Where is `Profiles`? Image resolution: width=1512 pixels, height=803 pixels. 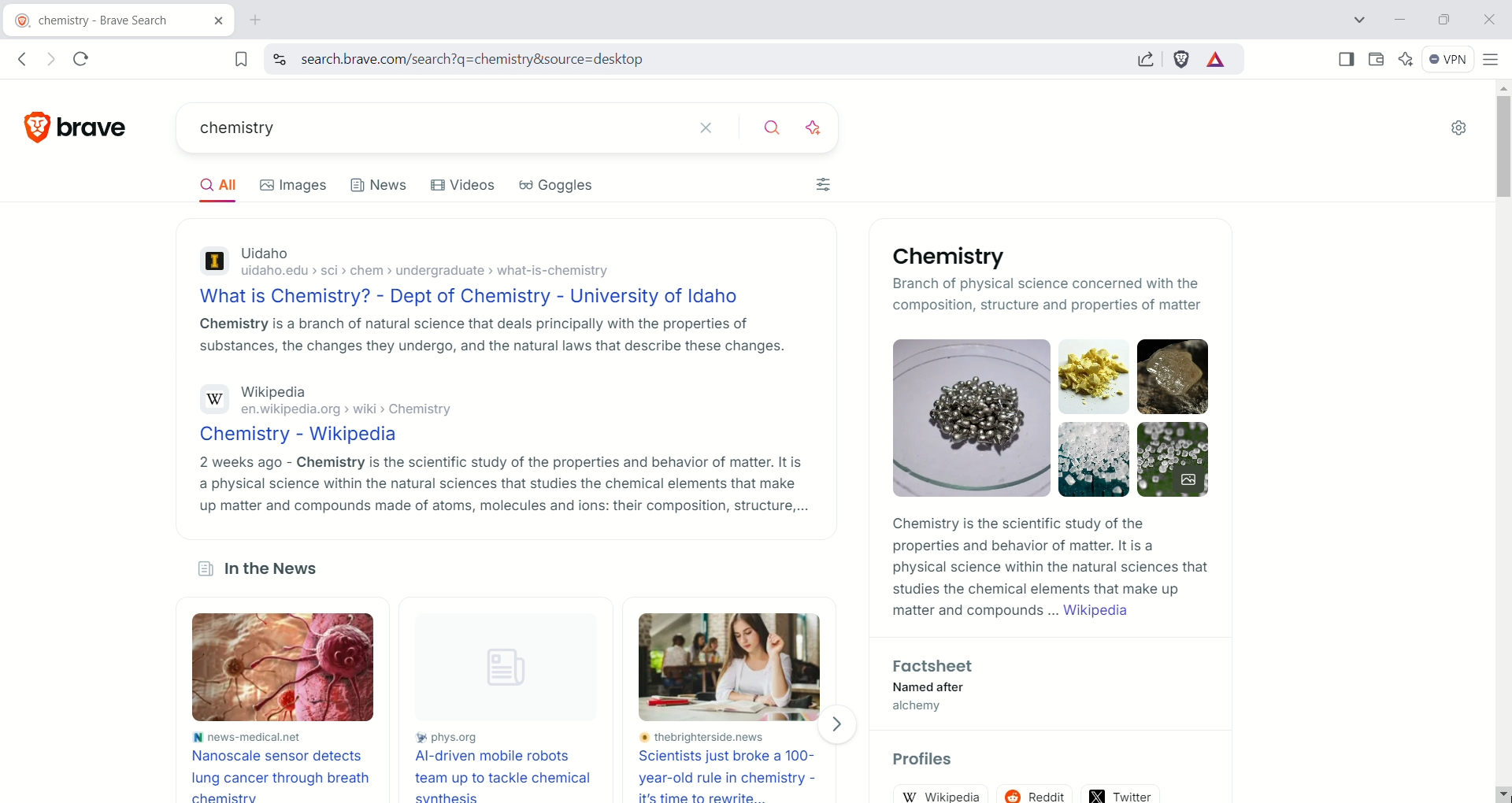 Profiles is located at coordinates (932, 761).